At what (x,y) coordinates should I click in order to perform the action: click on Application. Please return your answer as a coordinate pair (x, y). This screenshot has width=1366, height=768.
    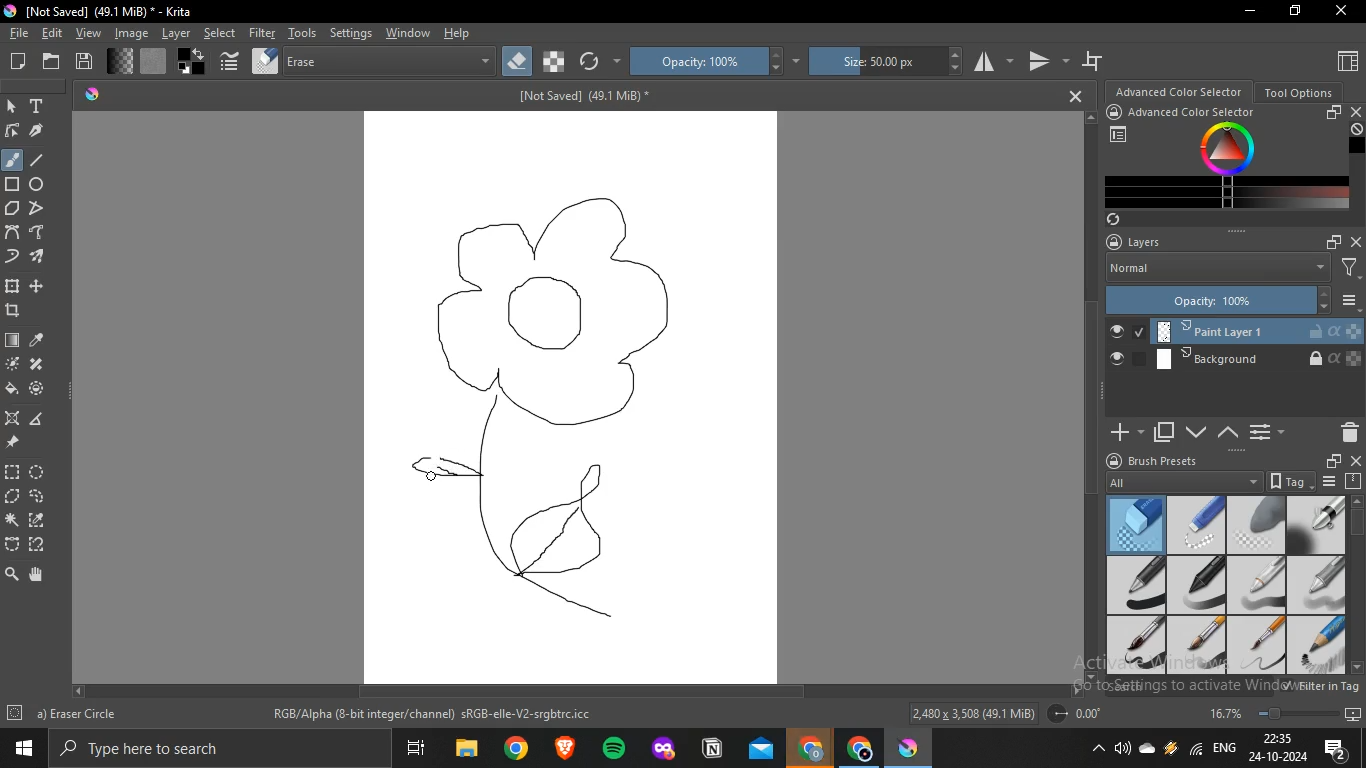
    Looking at the image, I should click on (566, 747).